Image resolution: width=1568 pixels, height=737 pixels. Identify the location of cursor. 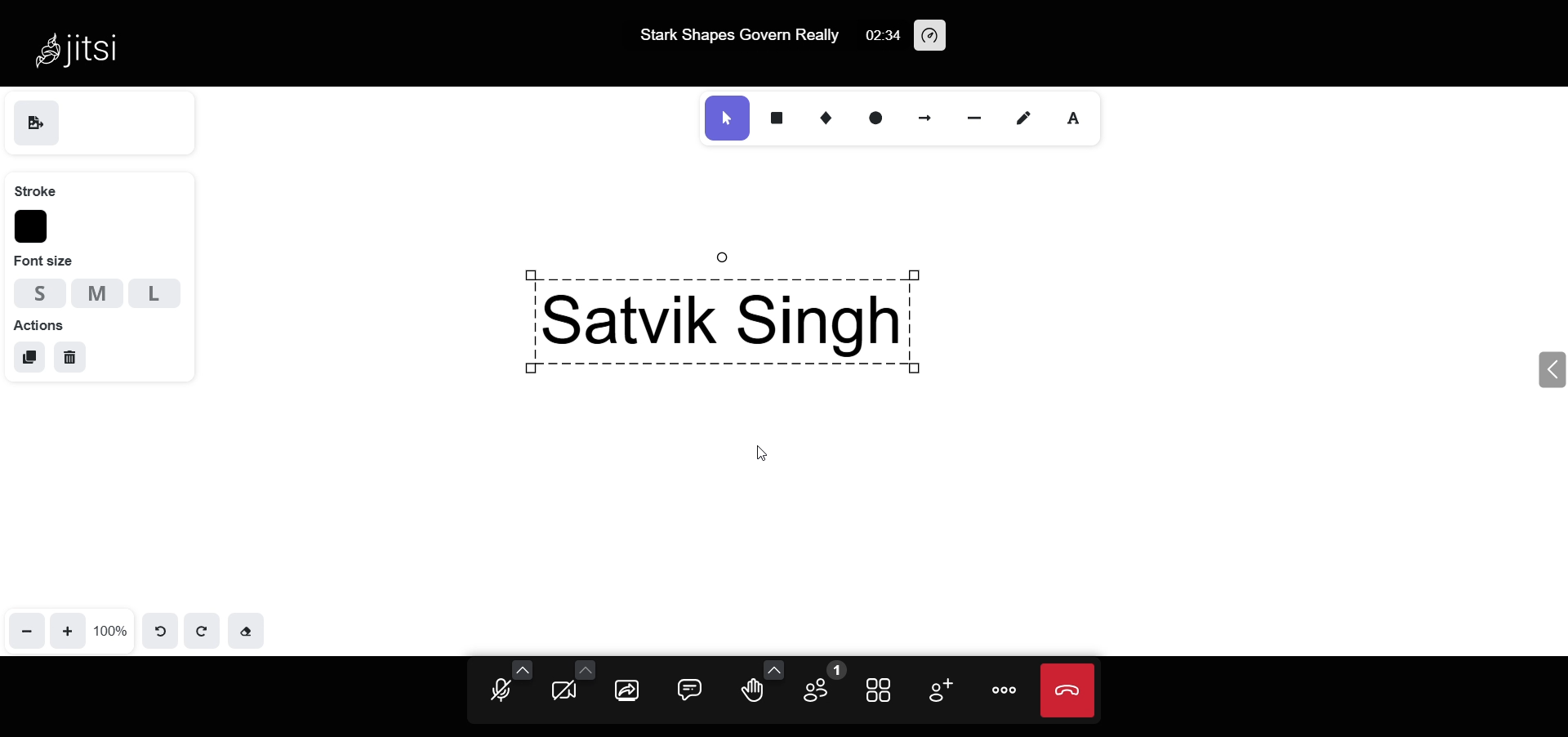
(768, 454).